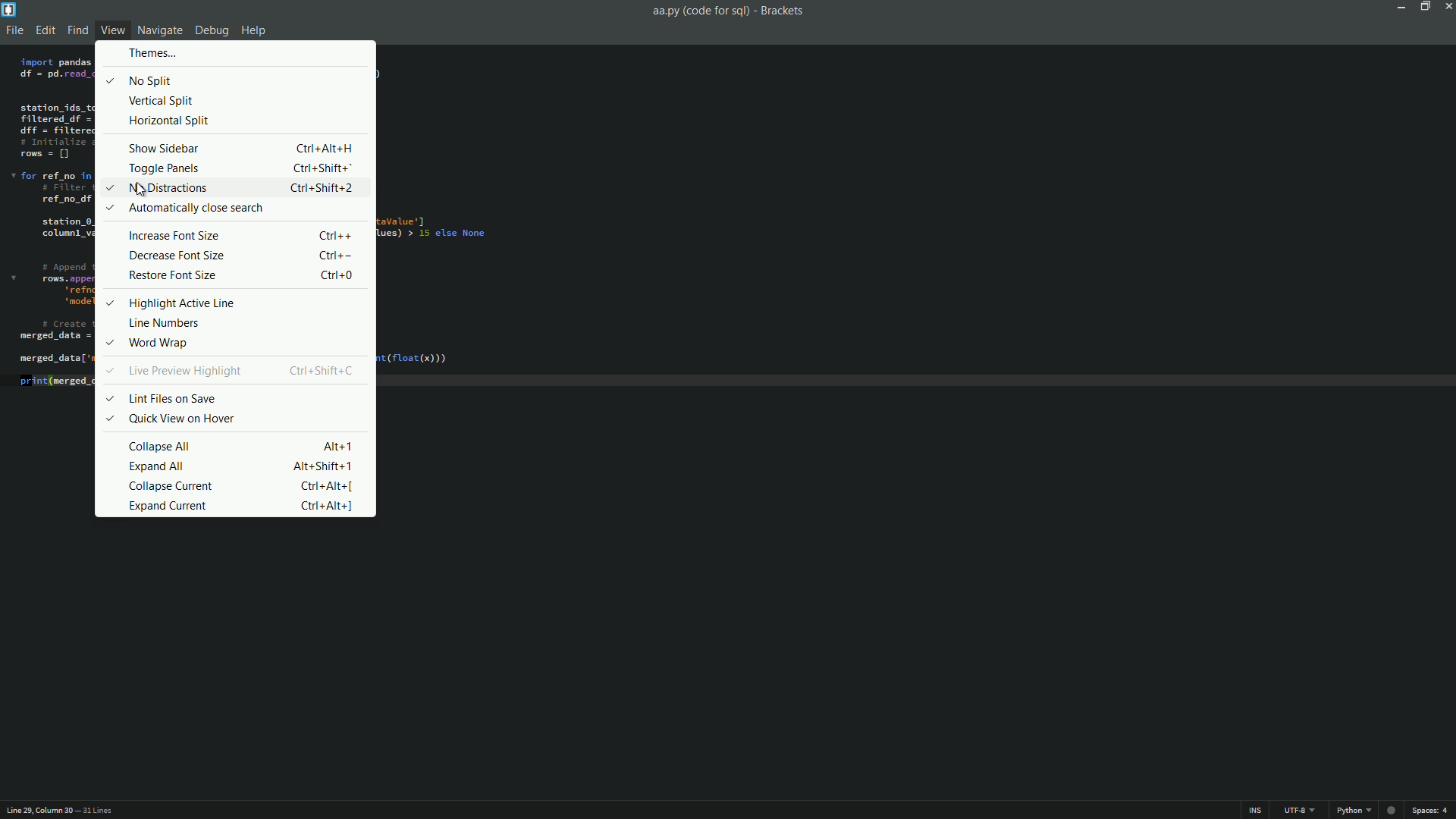 The height and width of the screenshot is (819, 1456). Describe the element at coordinates (191, 209) in the screenshot. I see `Automatically close search` at that location.